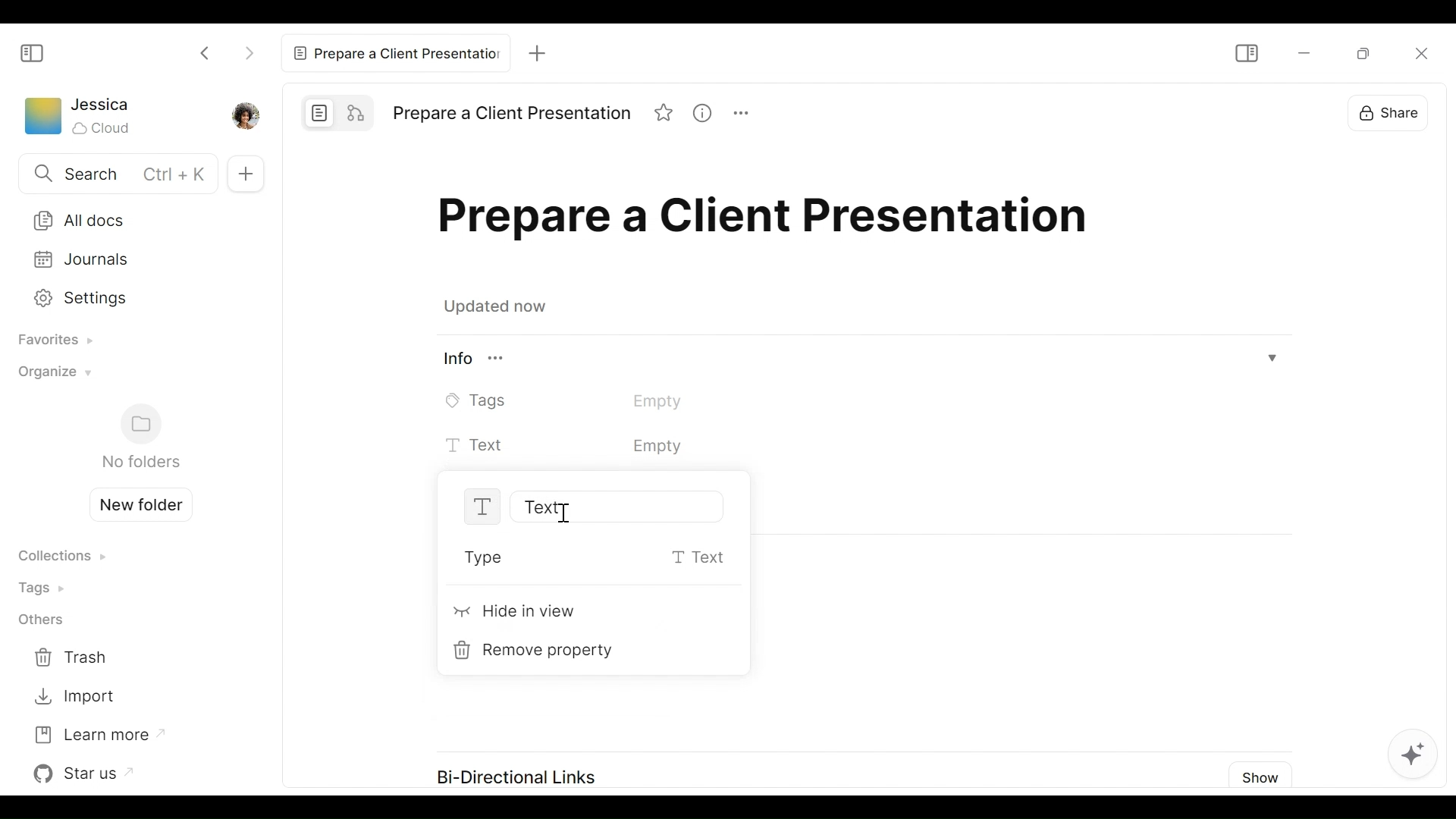 The image size is (1456, 819). What do you see at coordinates (46, 587) in the screenshot?
I see `Tags` at bounding box center [46, 587].